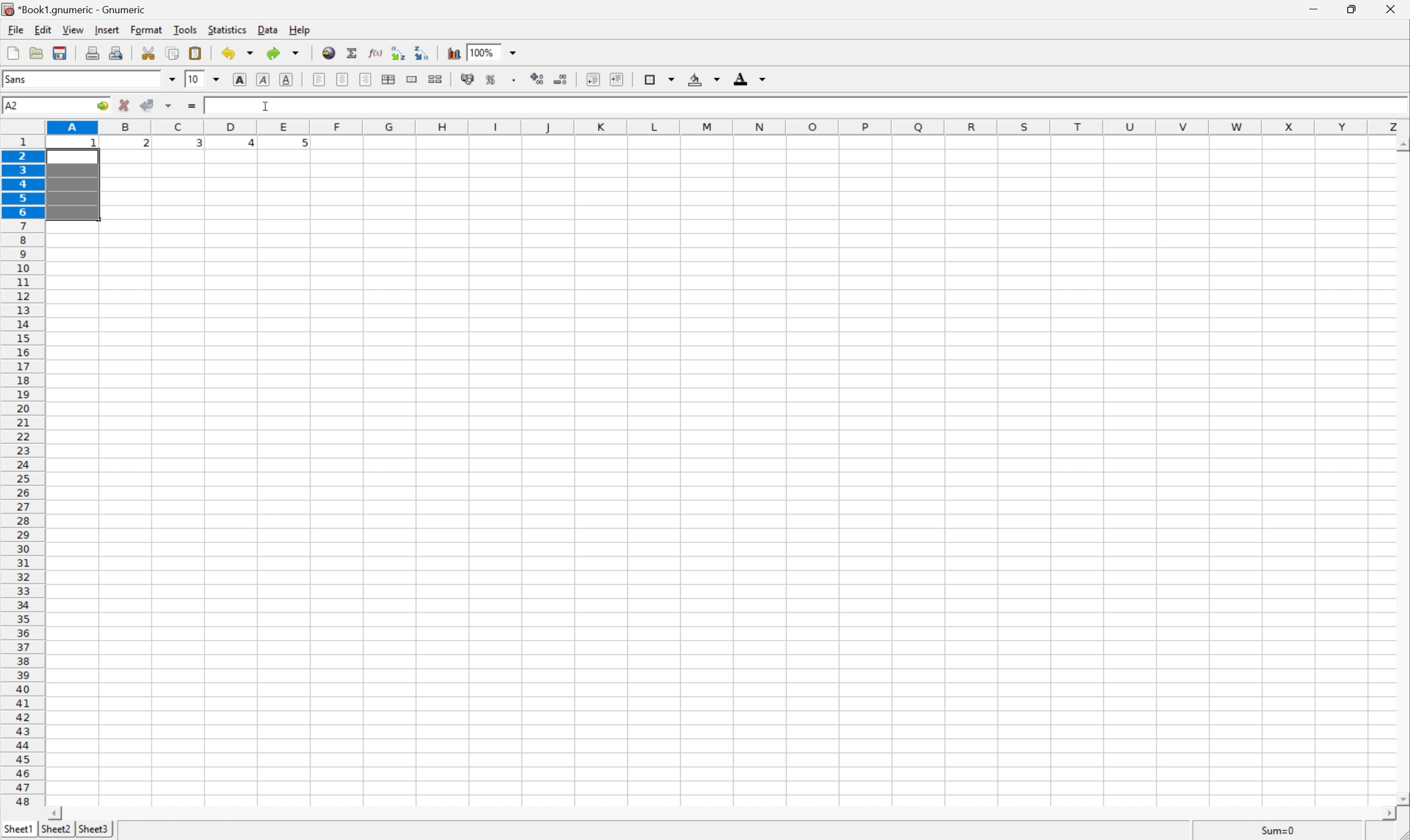 The image size is (1410, 840). Describe the element at coordinates (227, 31) in the screenshot. I see `statistics` at that location.